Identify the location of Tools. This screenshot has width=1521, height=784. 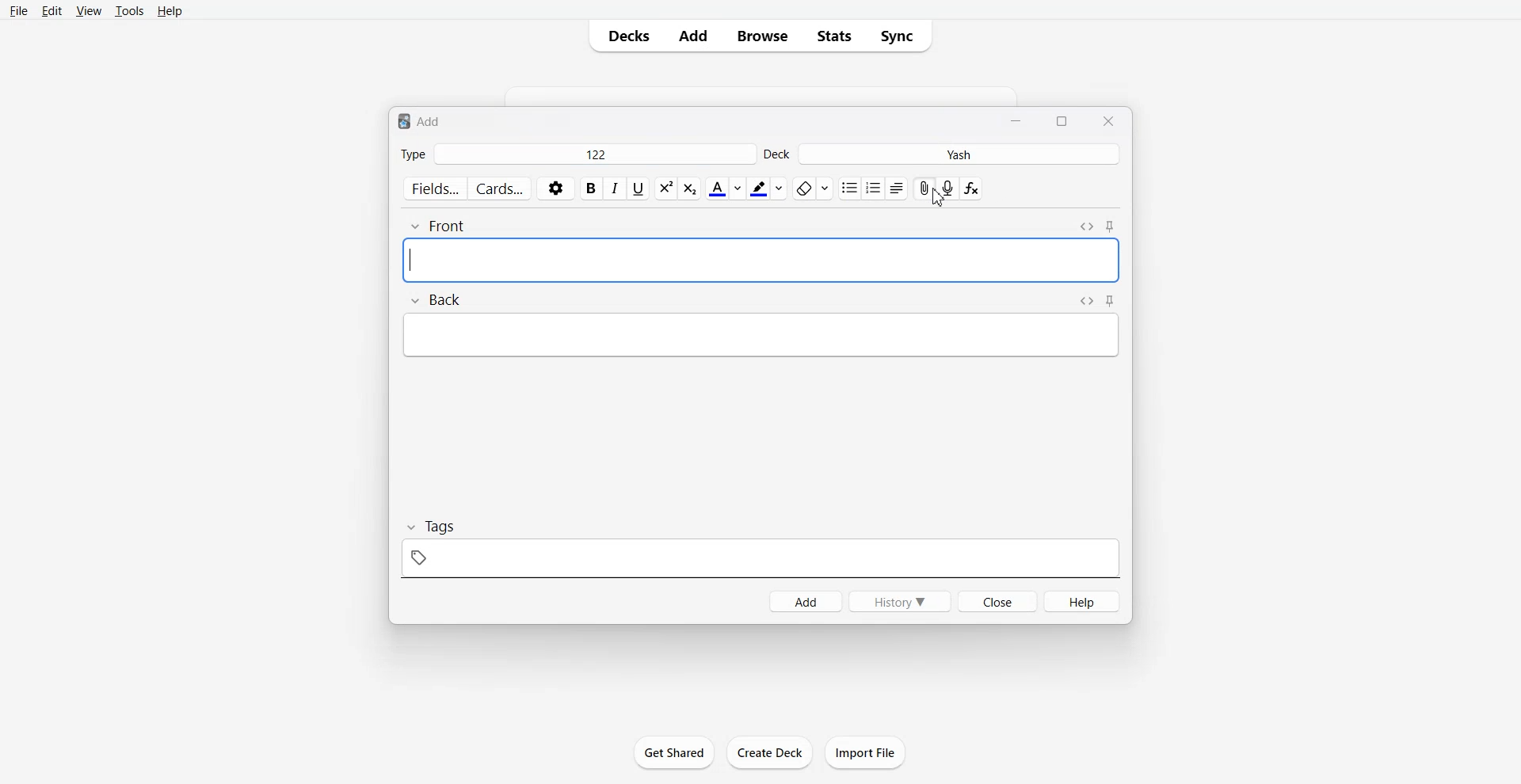
(128, 12).